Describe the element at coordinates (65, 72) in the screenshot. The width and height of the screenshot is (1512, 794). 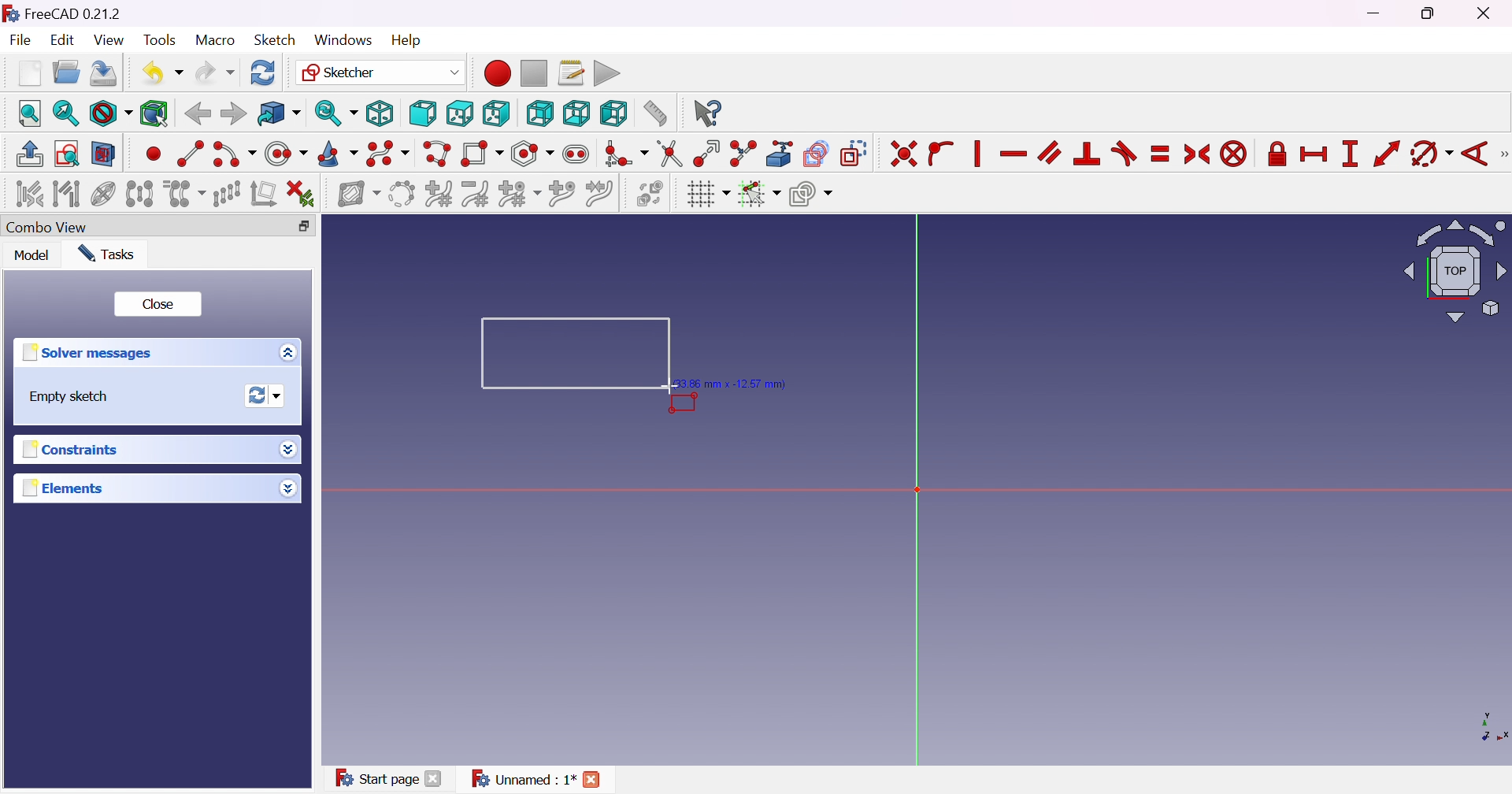
I see `Open` at that location.